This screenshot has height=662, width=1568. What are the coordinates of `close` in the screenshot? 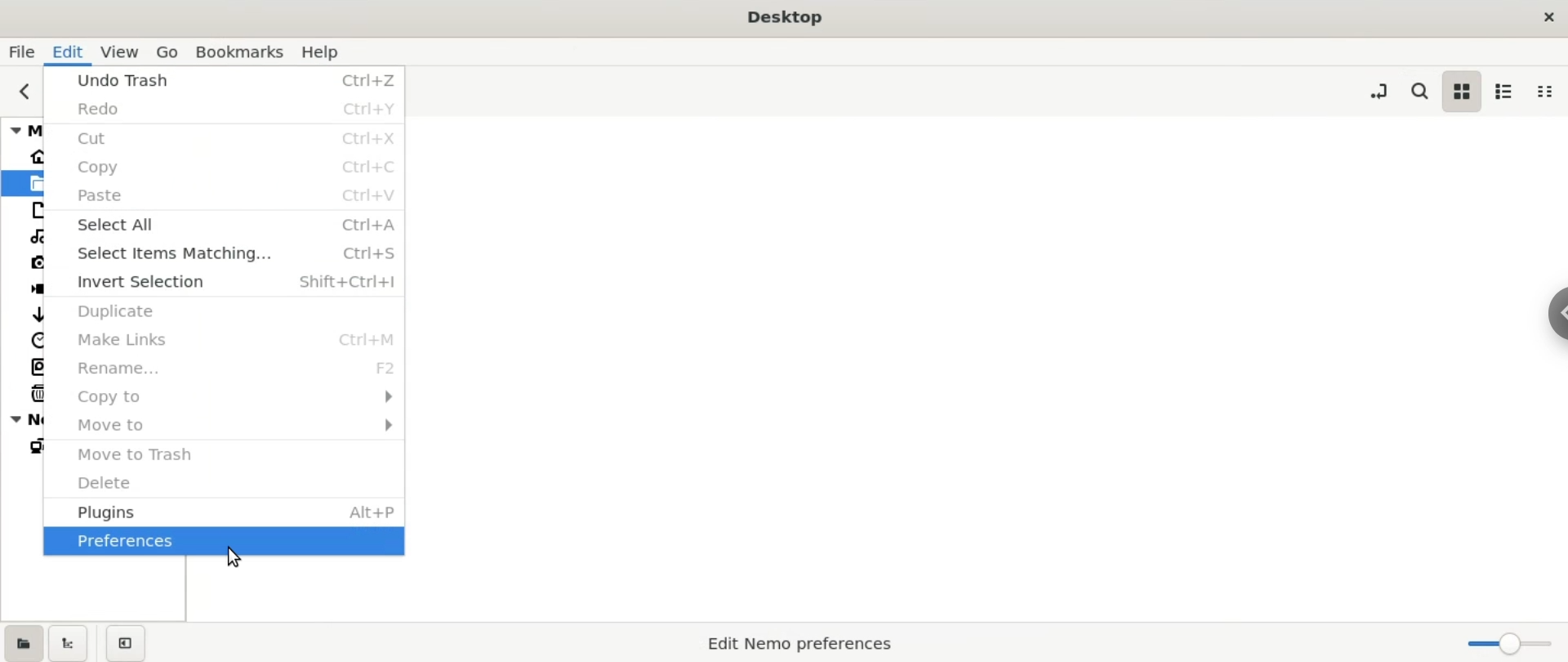 It's located at (1545, 16).